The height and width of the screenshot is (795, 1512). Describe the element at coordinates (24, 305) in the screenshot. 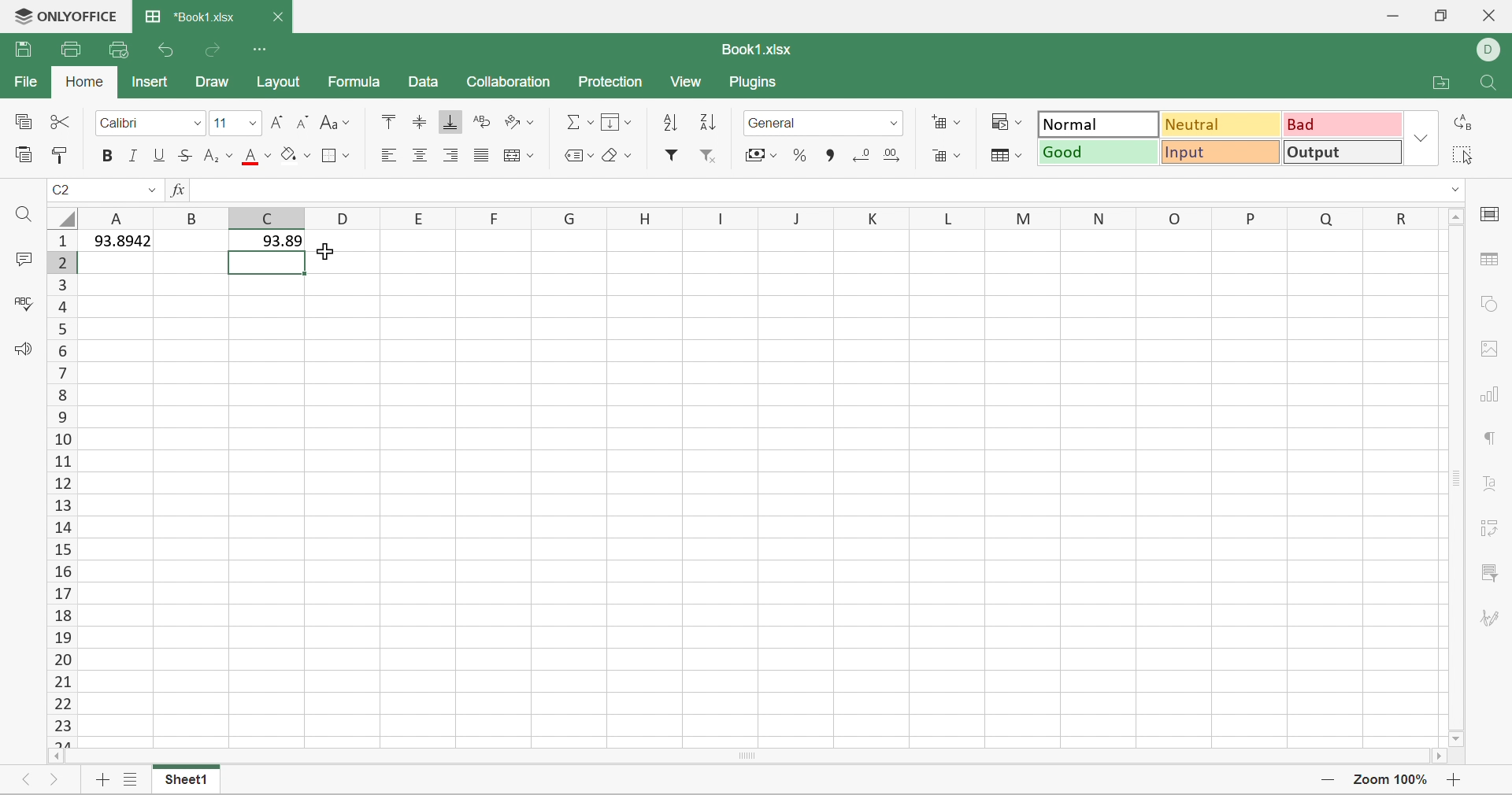

I see `Check Spelling` at that location.